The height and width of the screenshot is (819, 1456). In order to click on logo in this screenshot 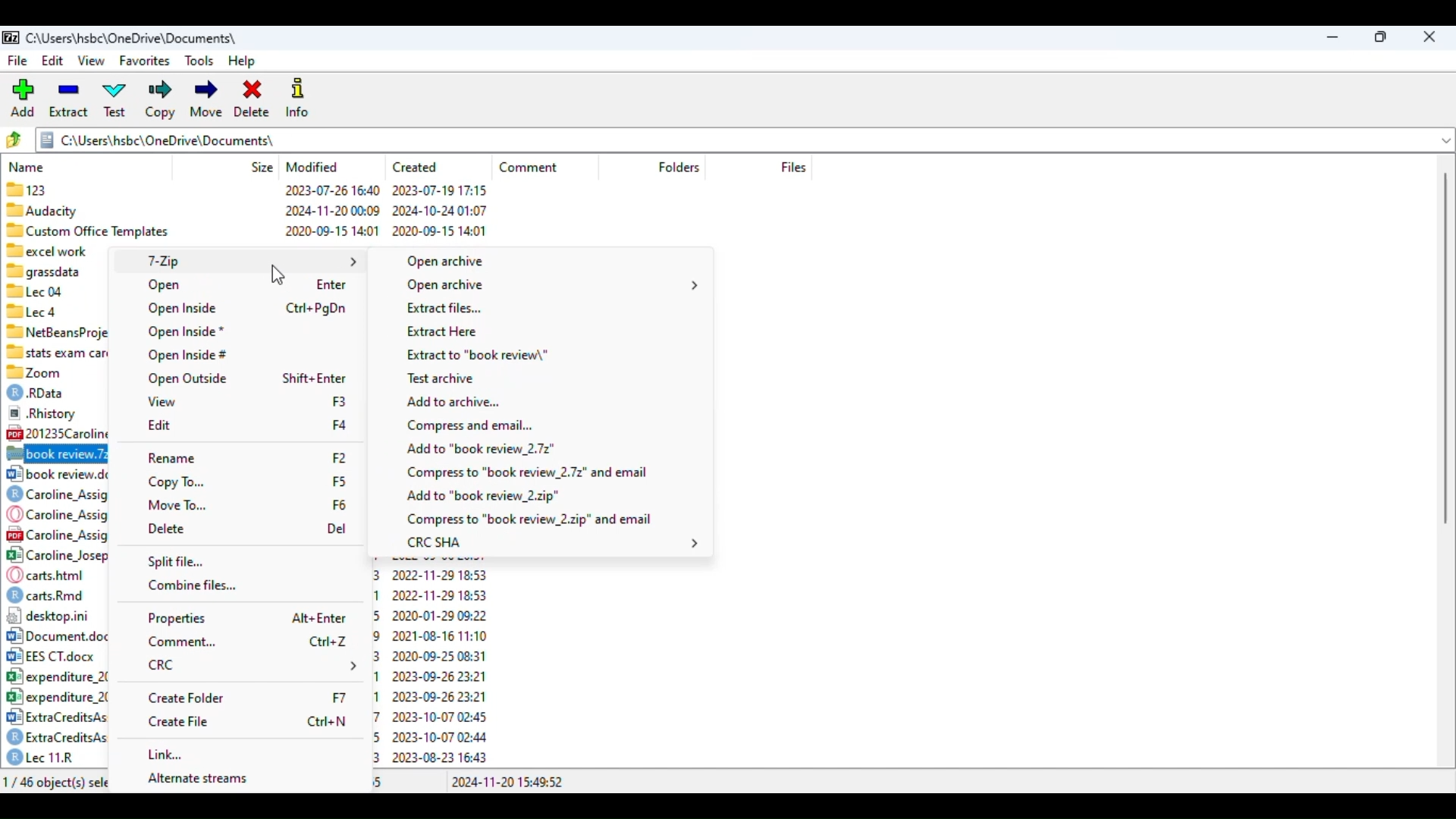, I will do `click(12, 37)`.